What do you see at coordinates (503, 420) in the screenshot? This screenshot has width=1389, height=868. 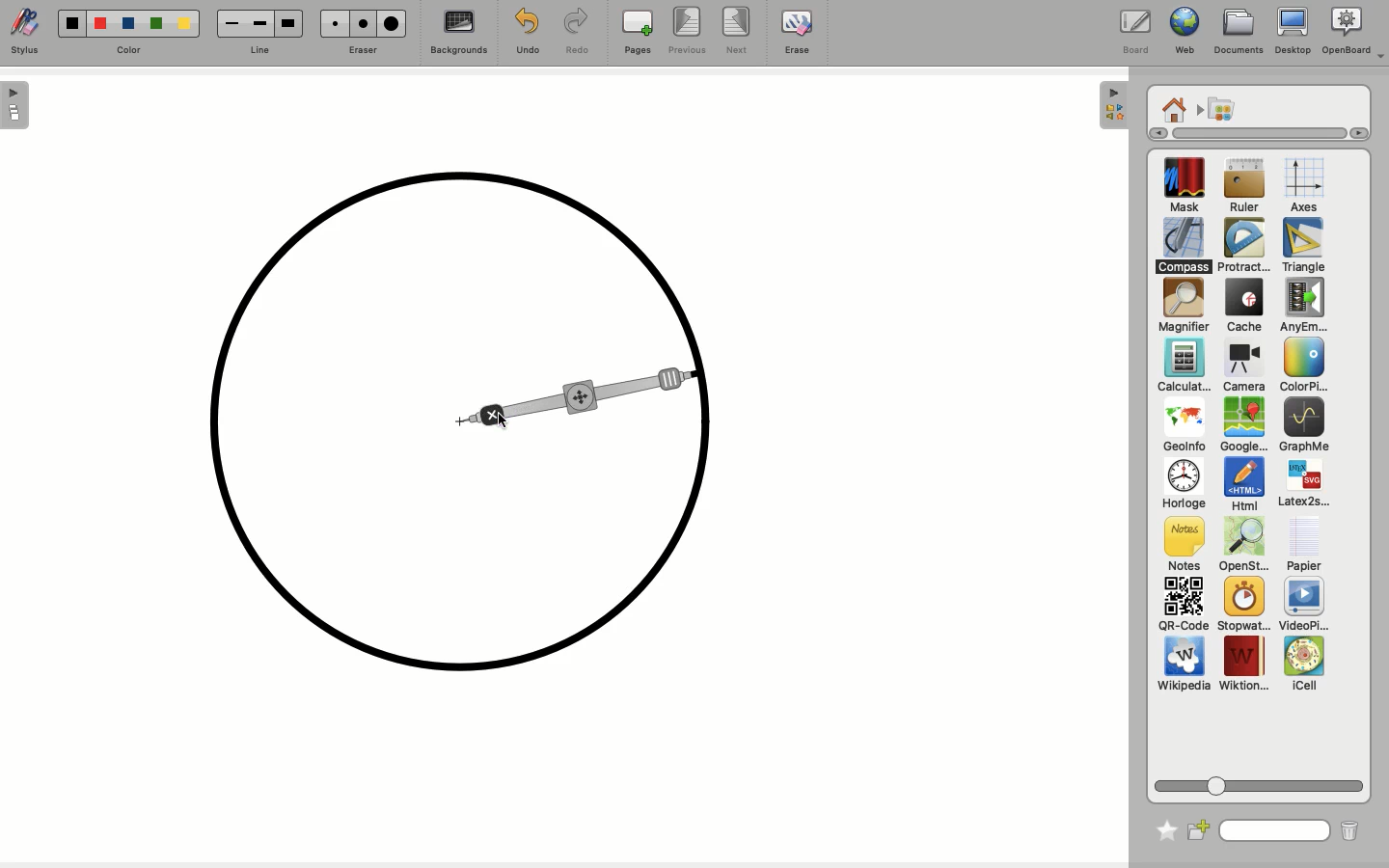 I see `cursor` at bounding box center [503, 420].